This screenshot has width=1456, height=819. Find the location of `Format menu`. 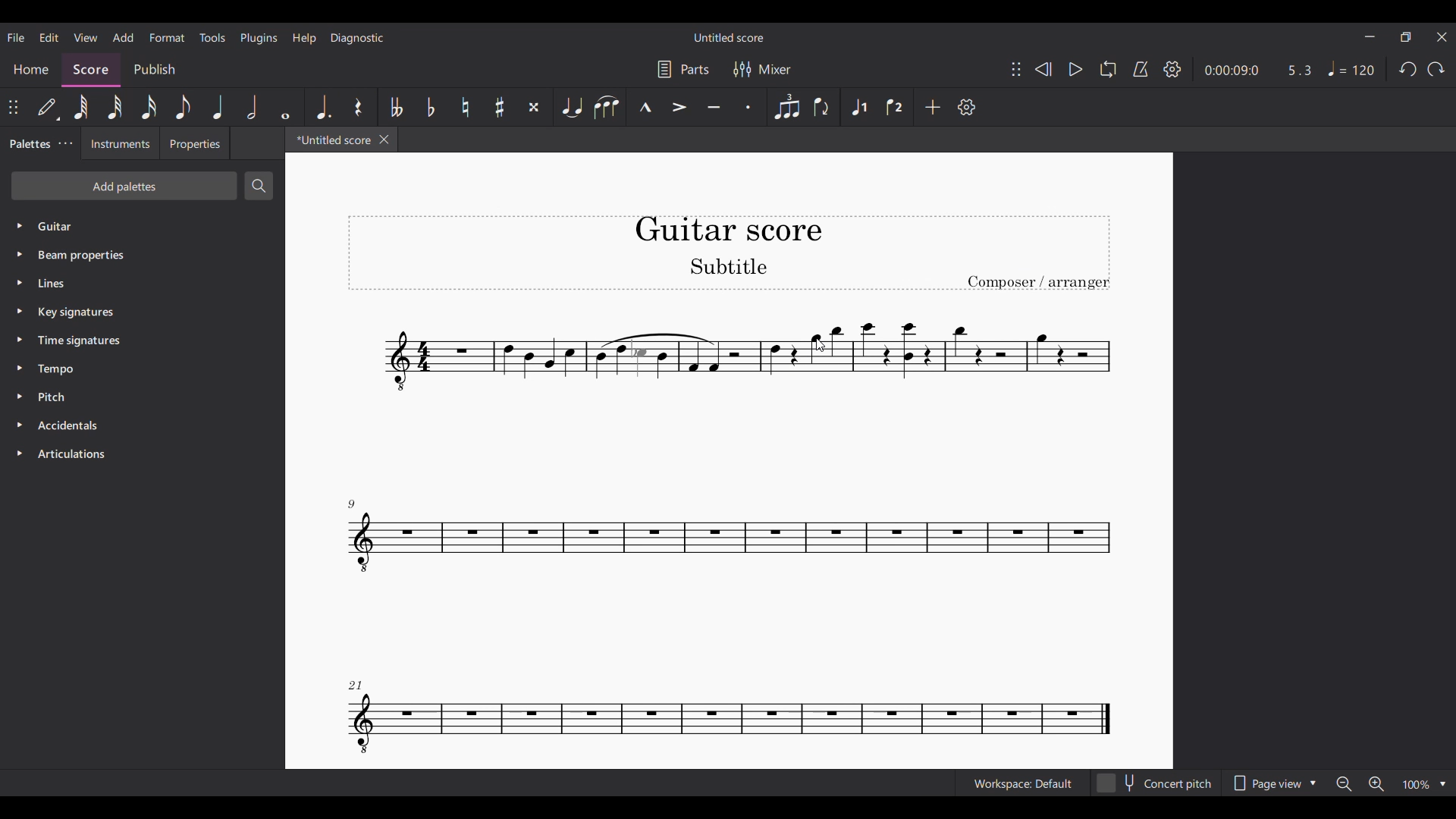

Format menu is located at coordinates (167, 37).